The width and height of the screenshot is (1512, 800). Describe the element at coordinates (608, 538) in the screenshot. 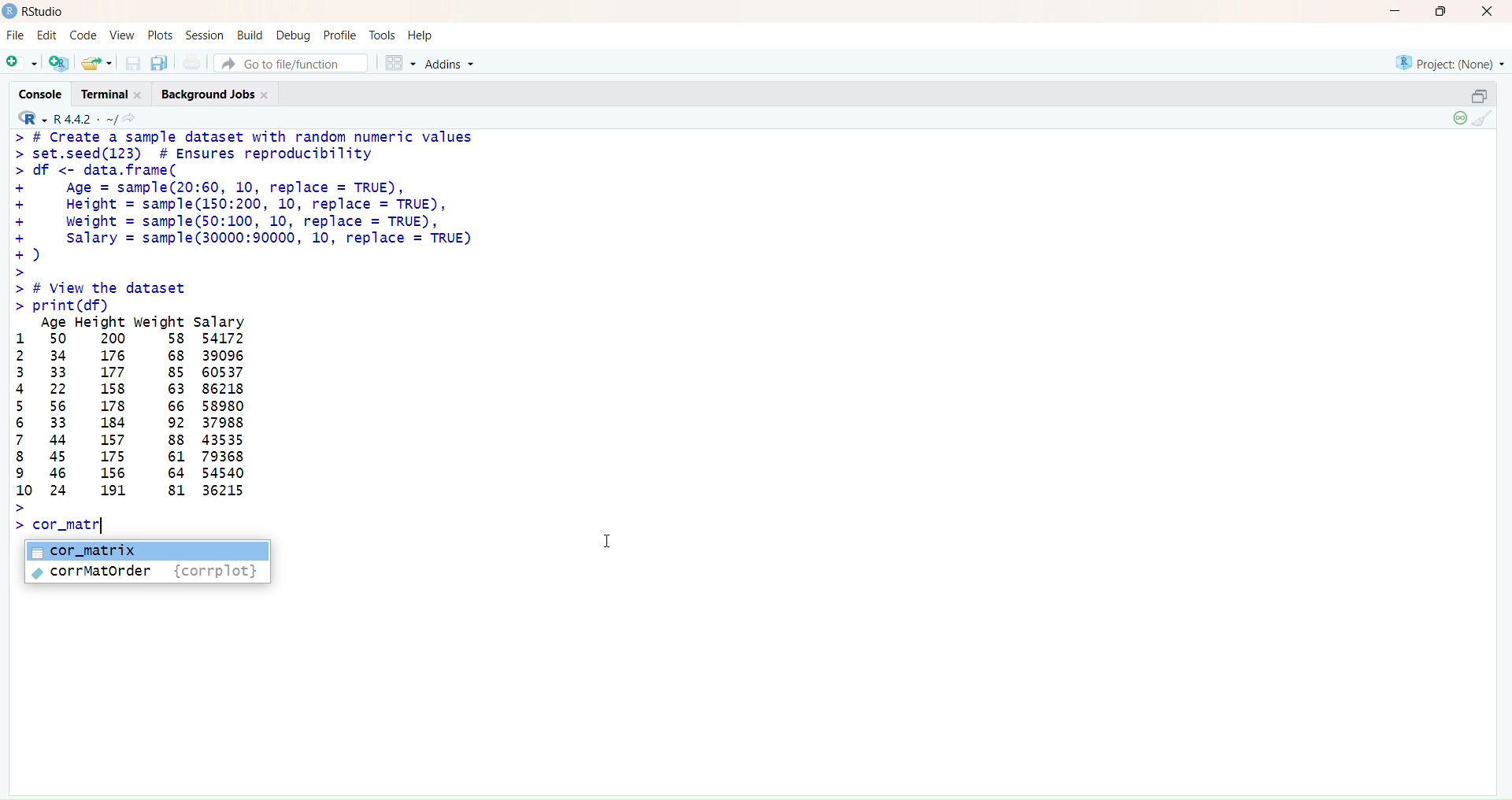

I see `Text cursor` at that location.